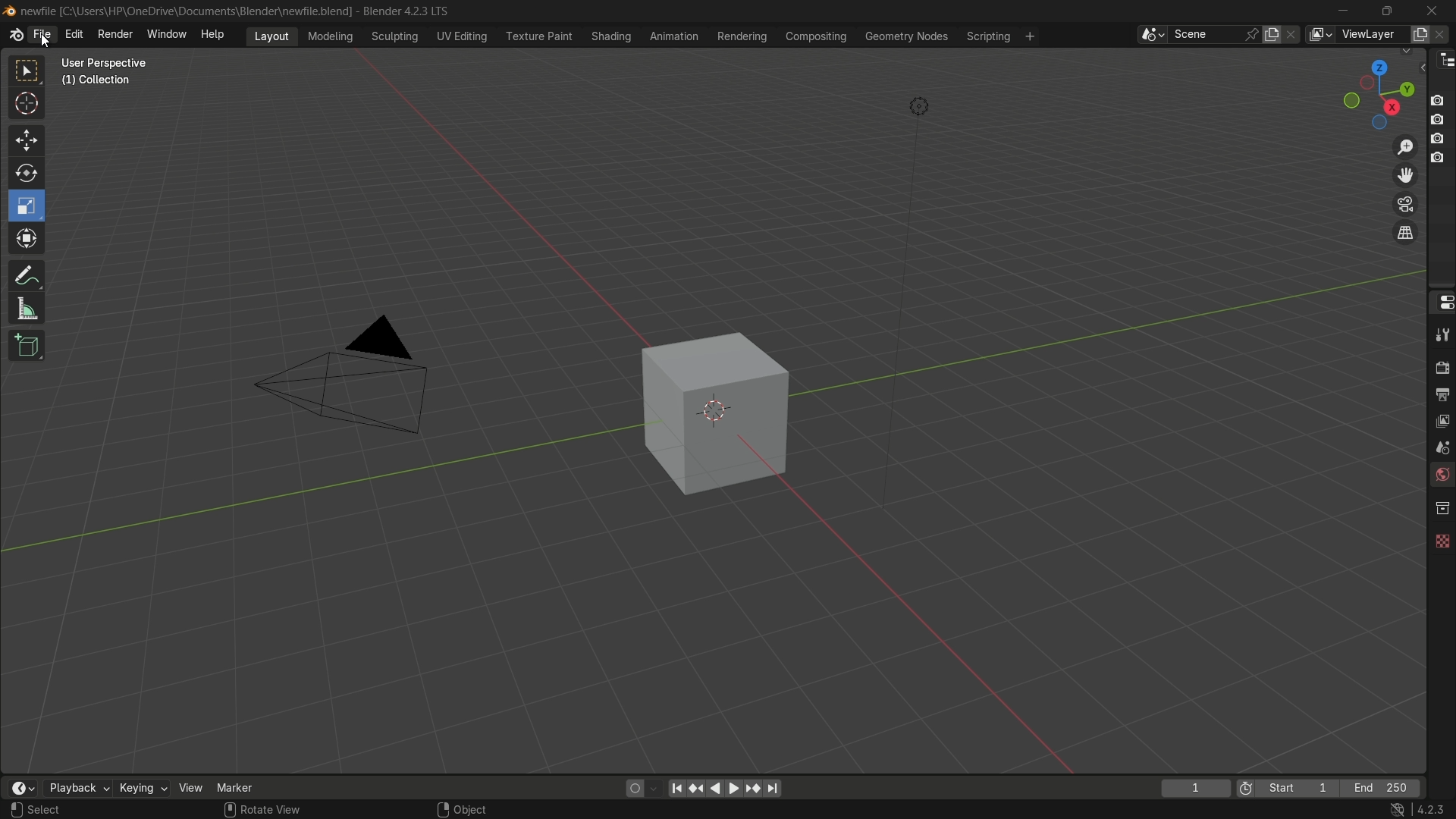 The width and height of the screenshot is (1456, 819). Describe the element at coordinates (1441, 301) in the screenshot. I see `properties` at that location.